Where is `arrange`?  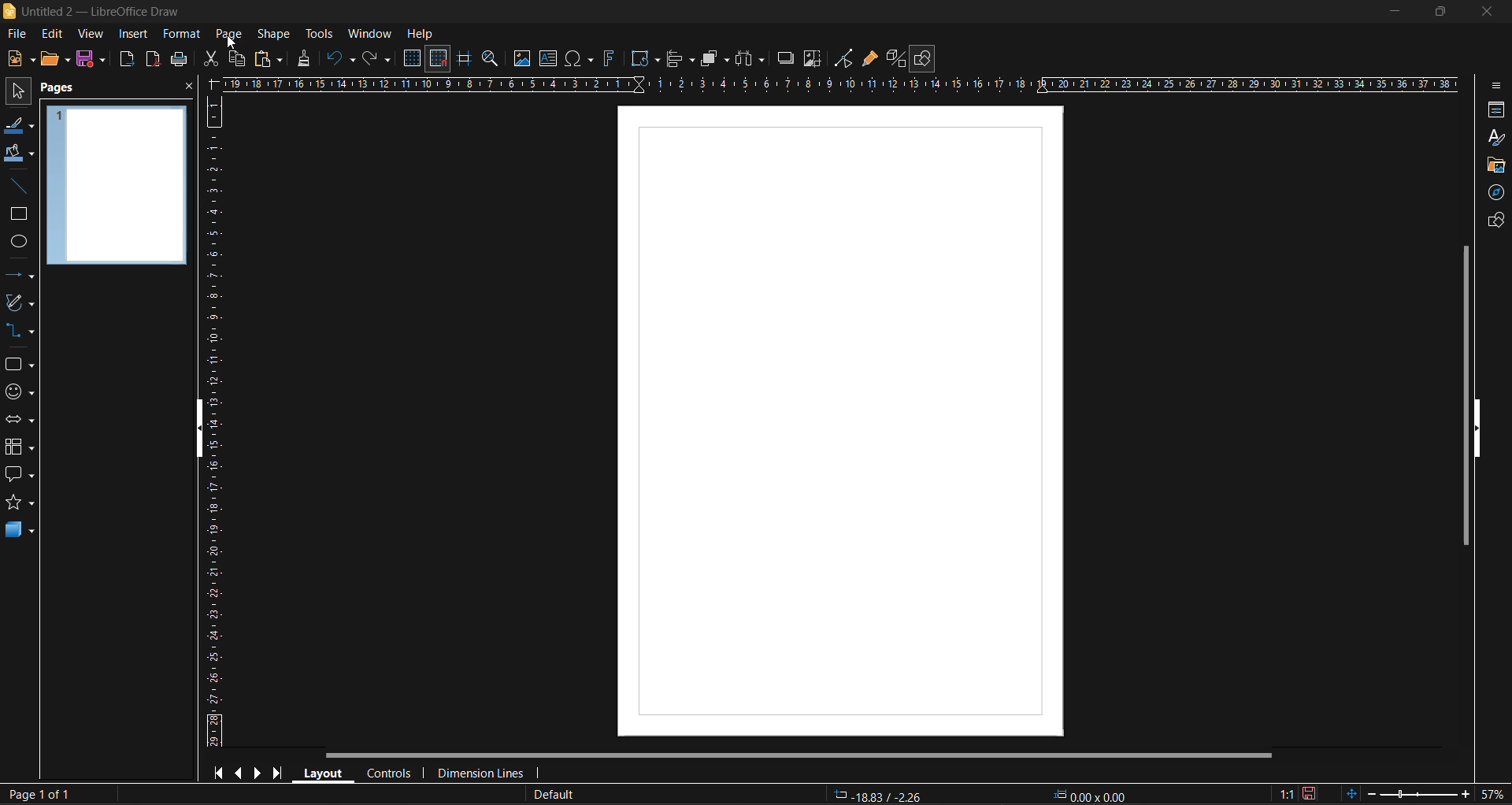 arrange is located at coordinates (713, 60).